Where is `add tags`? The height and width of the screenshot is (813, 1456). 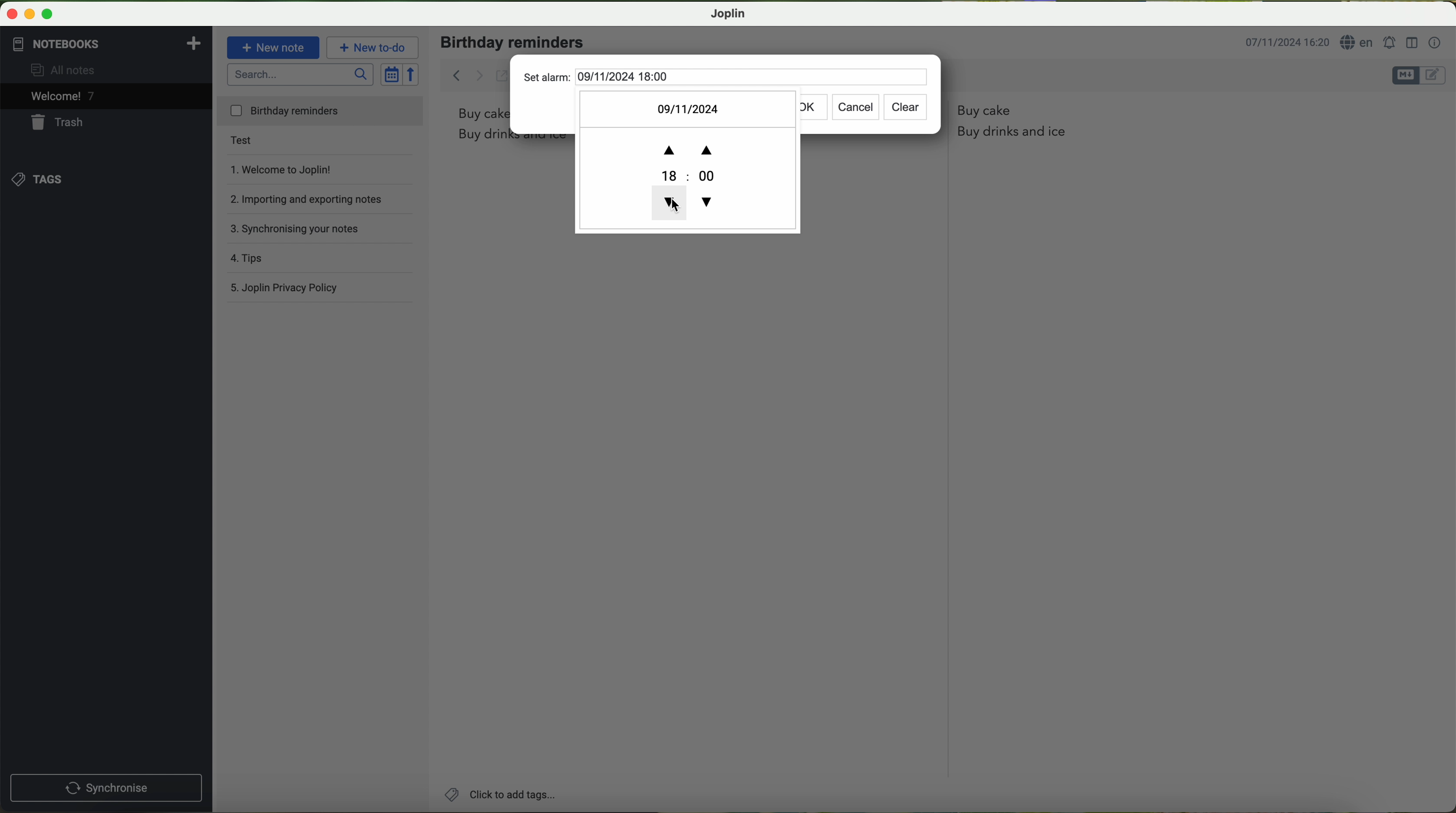
add tags is located at coordinates (503, 794).